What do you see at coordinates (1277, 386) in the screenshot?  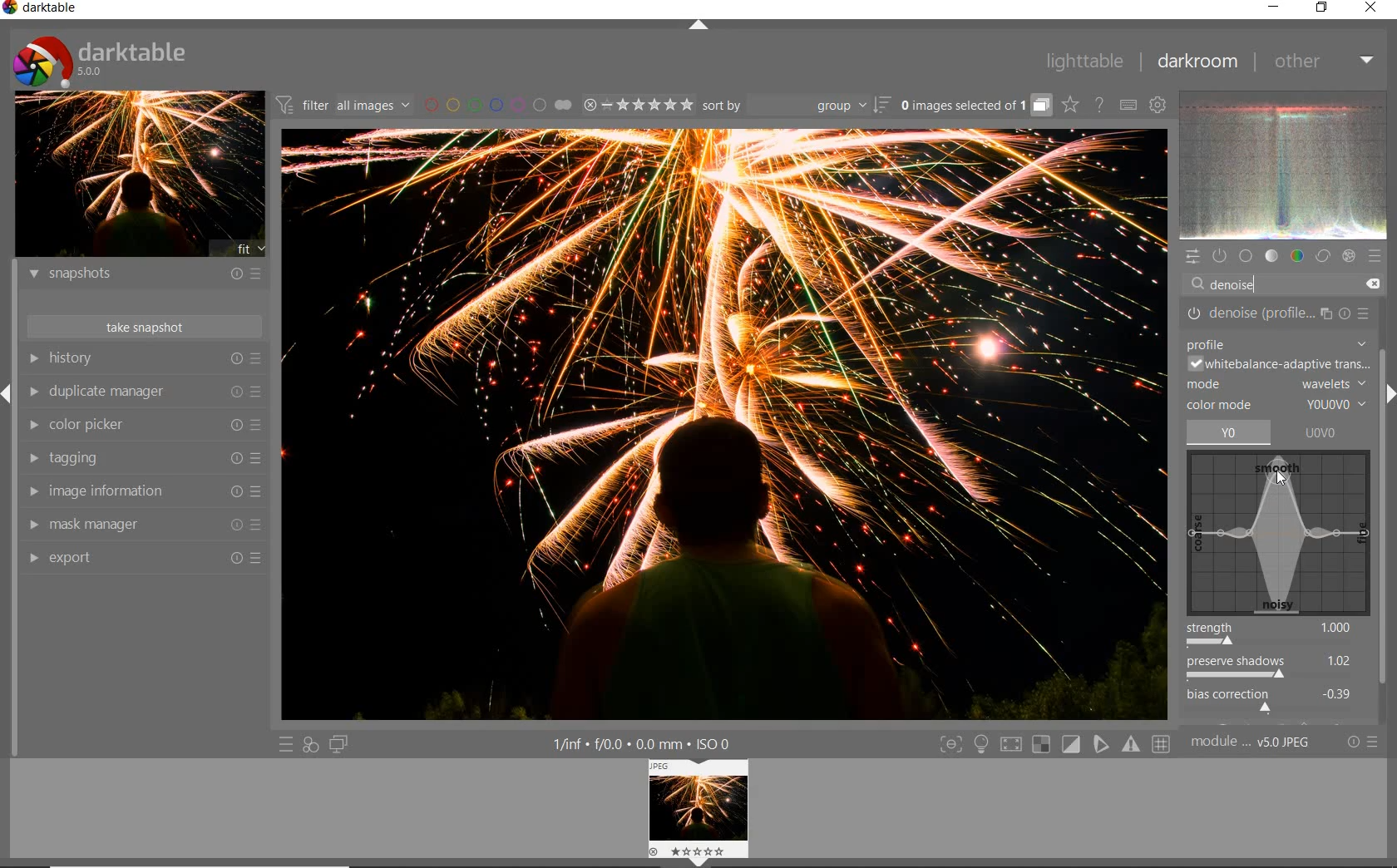 I see `MODE` at bounding box center [1277, 386].